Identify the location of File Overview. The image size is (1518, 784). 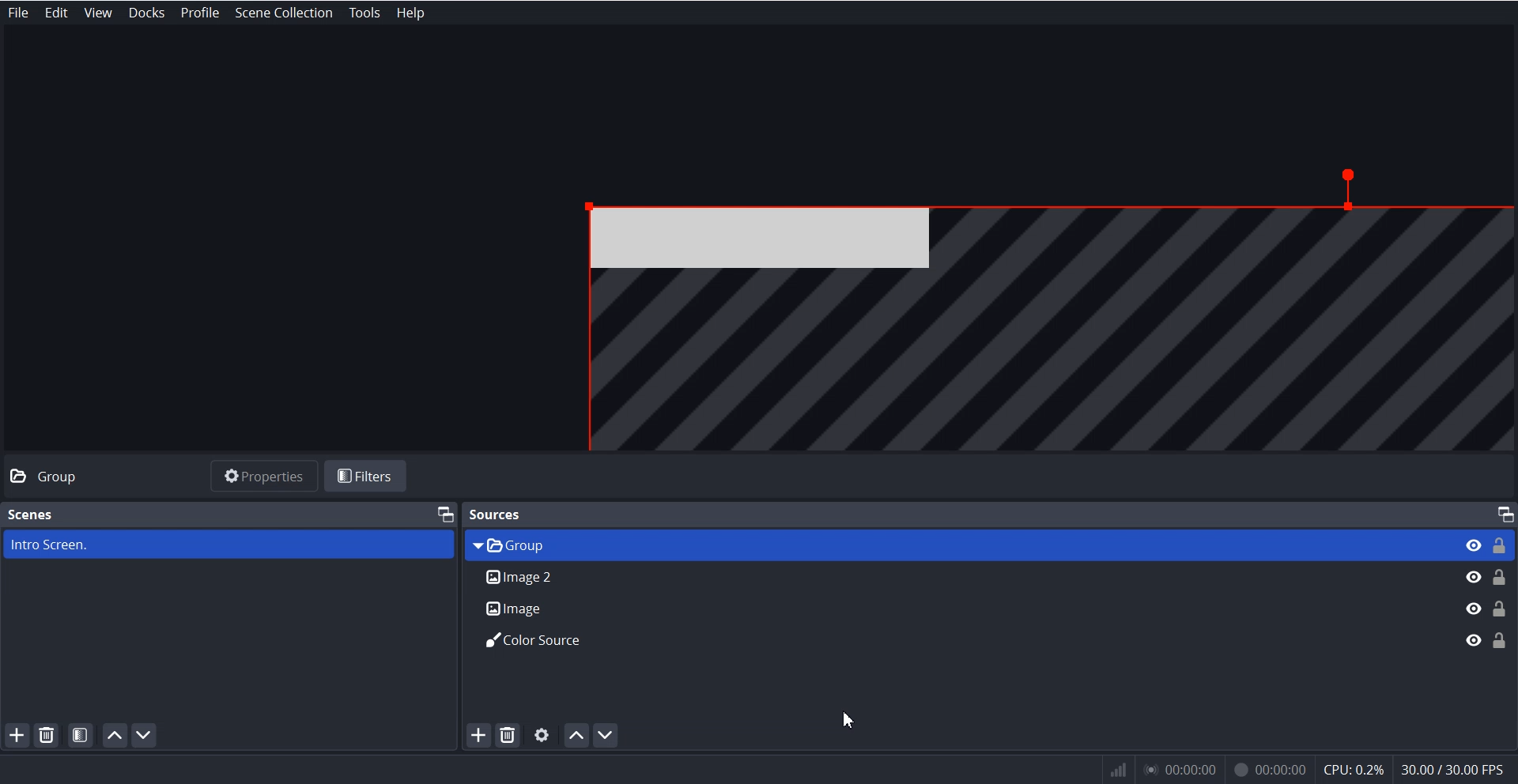
(1028, 303).